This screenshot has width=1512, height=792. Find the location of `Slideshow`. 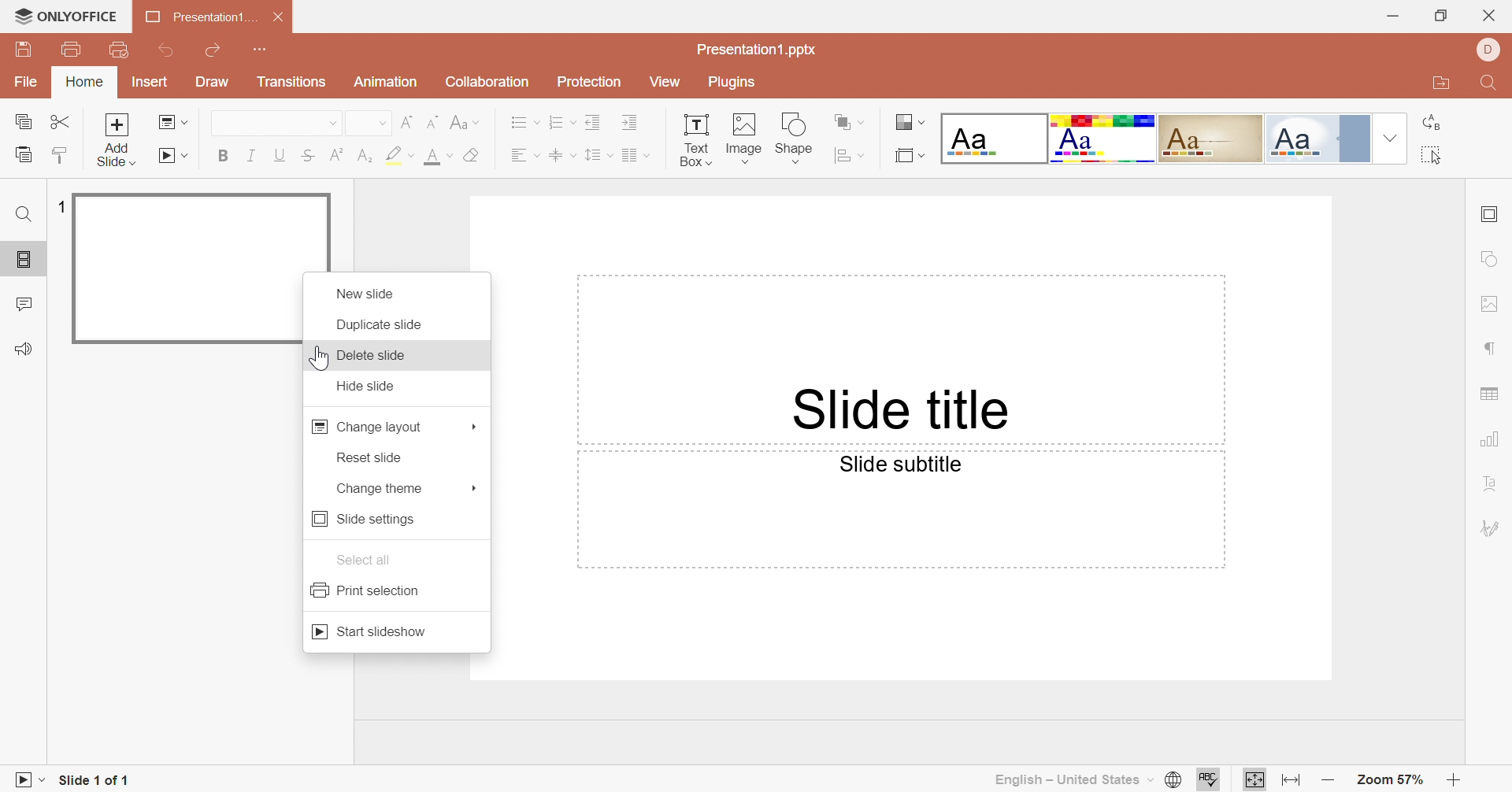

Slideshow is located at coordinates (18, 779).